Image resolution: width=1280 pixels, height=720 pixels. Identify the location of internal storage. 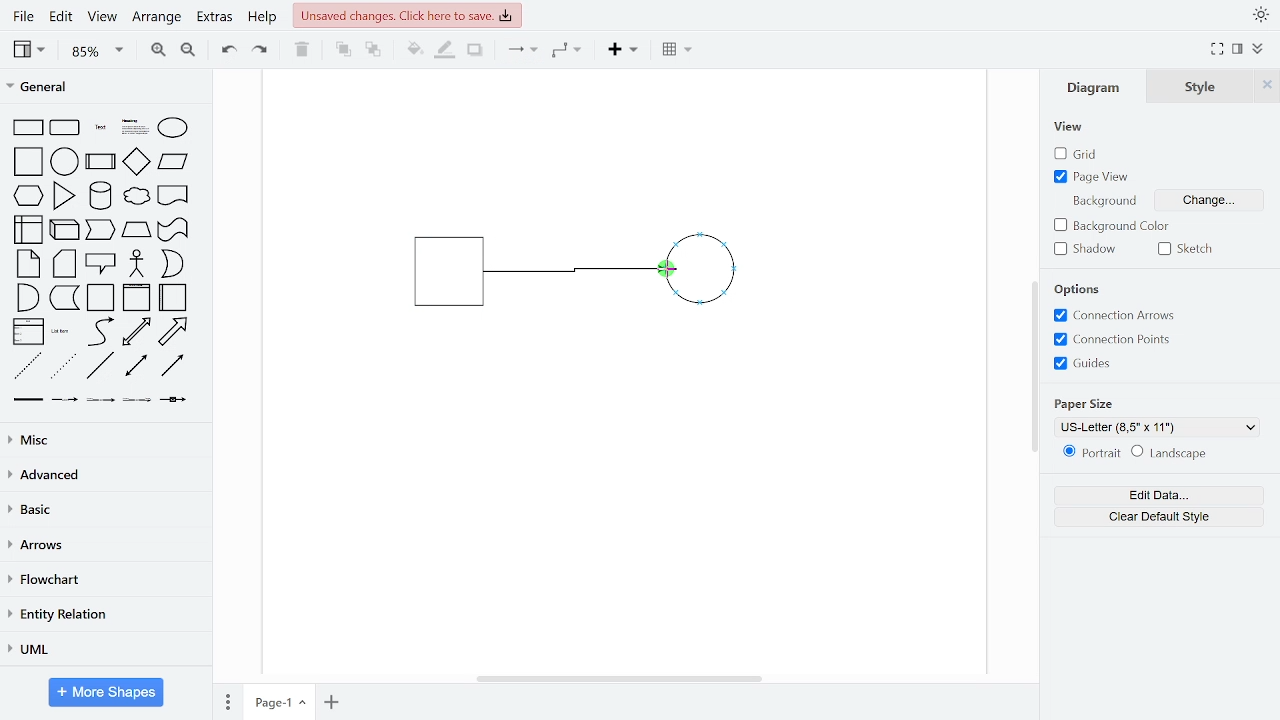
(30, 231).